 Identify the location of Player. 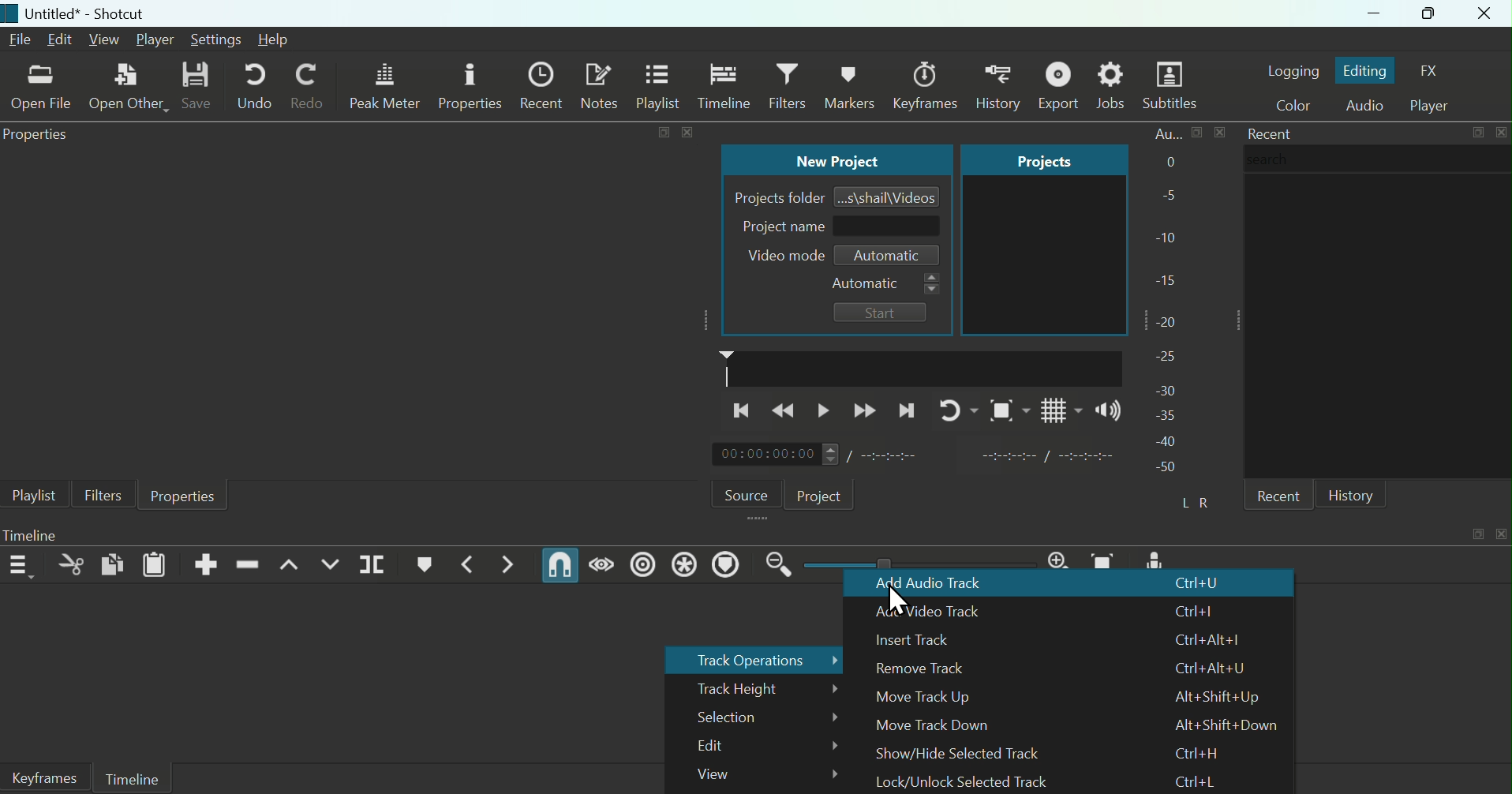
(1436, 103).